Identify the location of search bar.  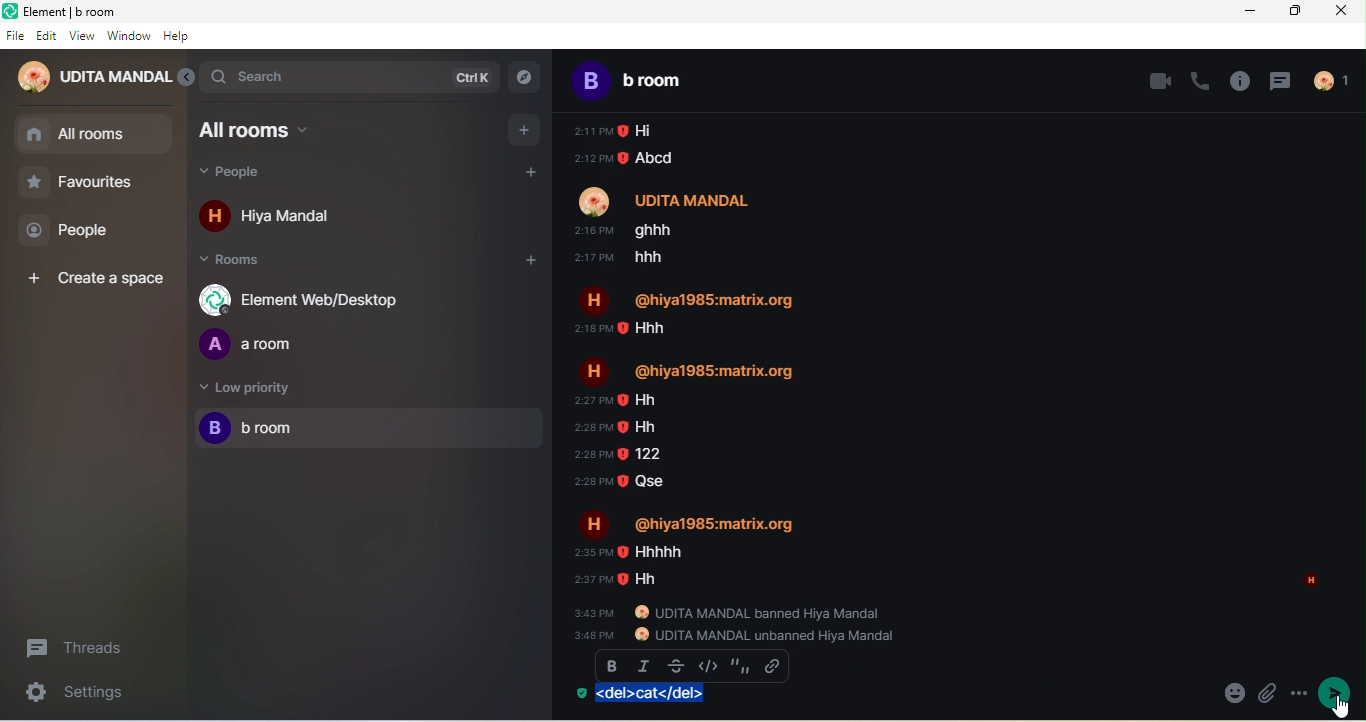
(350, 76).